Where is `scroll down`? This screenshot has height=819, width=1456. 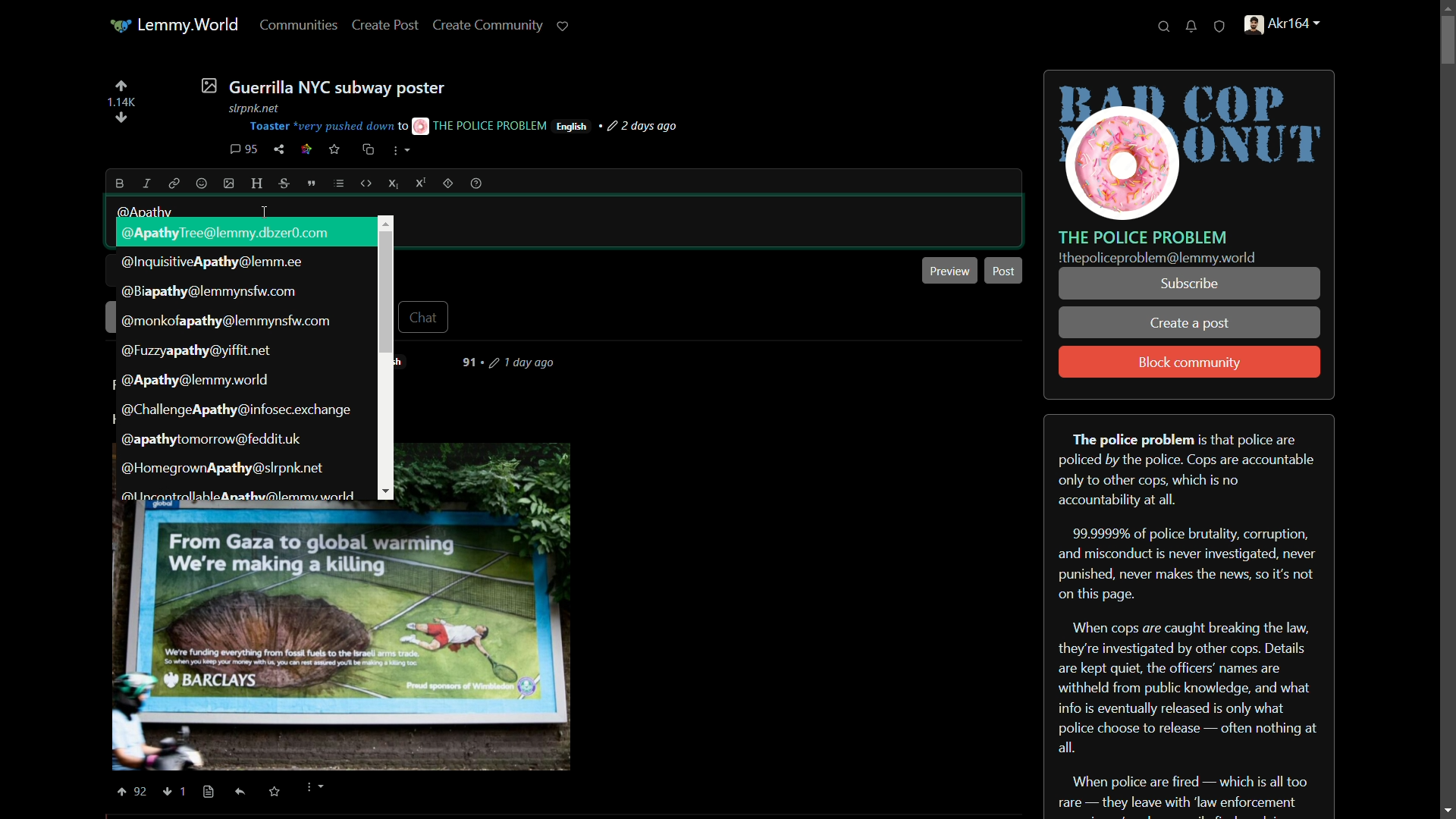 scroll down is located at coordinates (1444, 809).